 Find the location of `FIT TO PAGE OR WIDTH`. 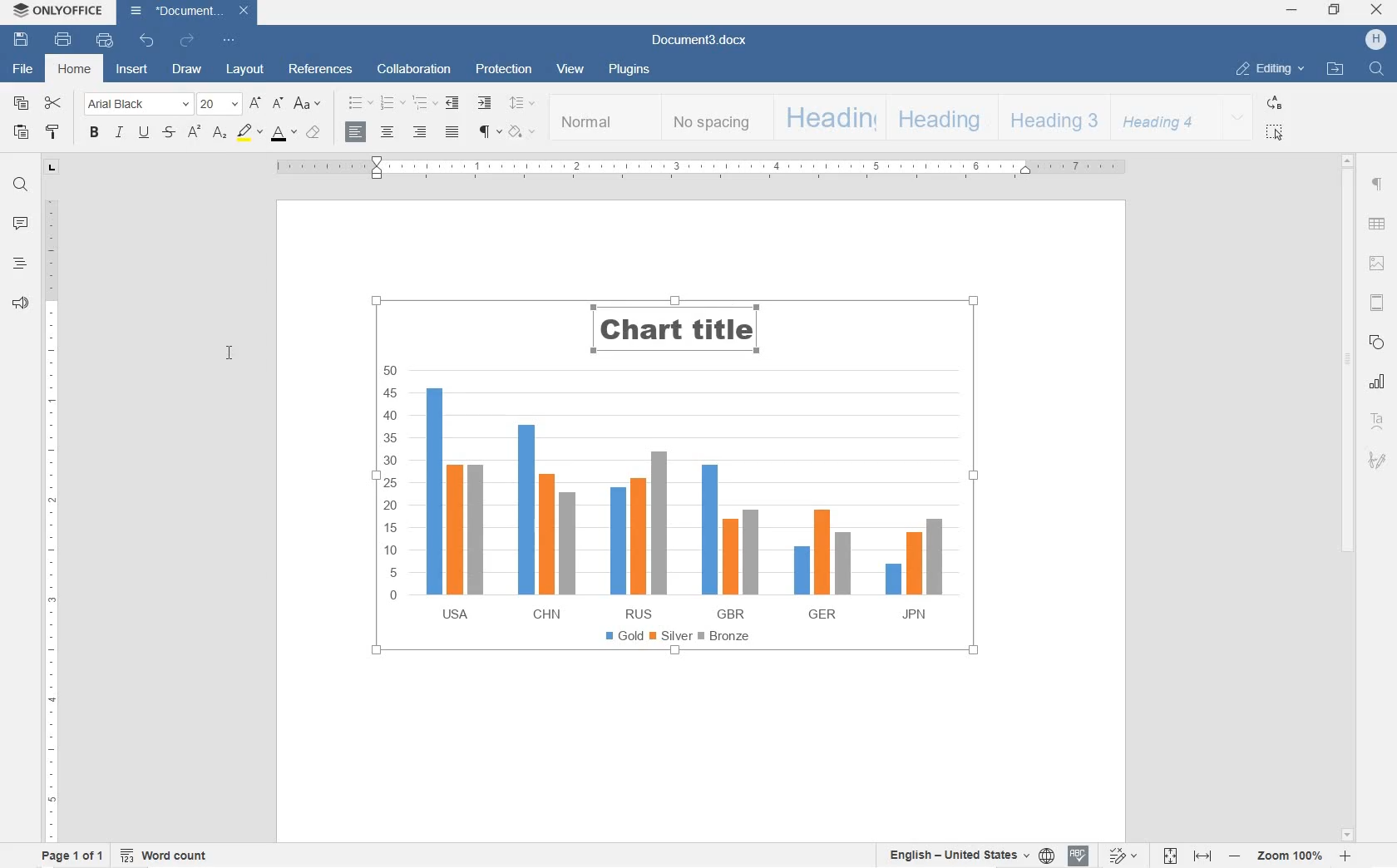

FIT TO PAGE OR WIDTH is located at coordinates (1186, 855).